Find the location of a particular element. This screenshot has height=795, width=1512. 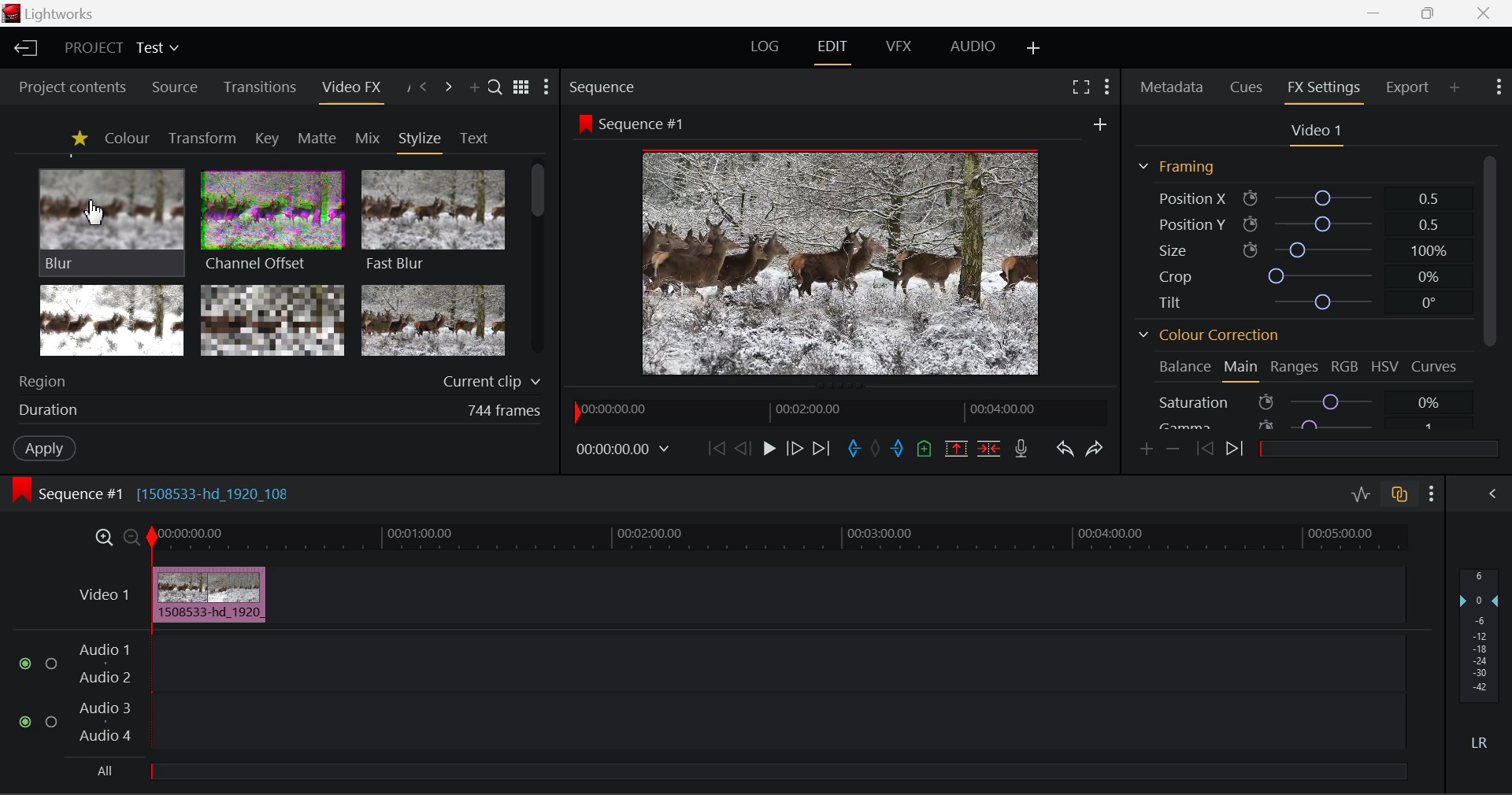

View Audio Mix is located at coordinates (1493, 492).